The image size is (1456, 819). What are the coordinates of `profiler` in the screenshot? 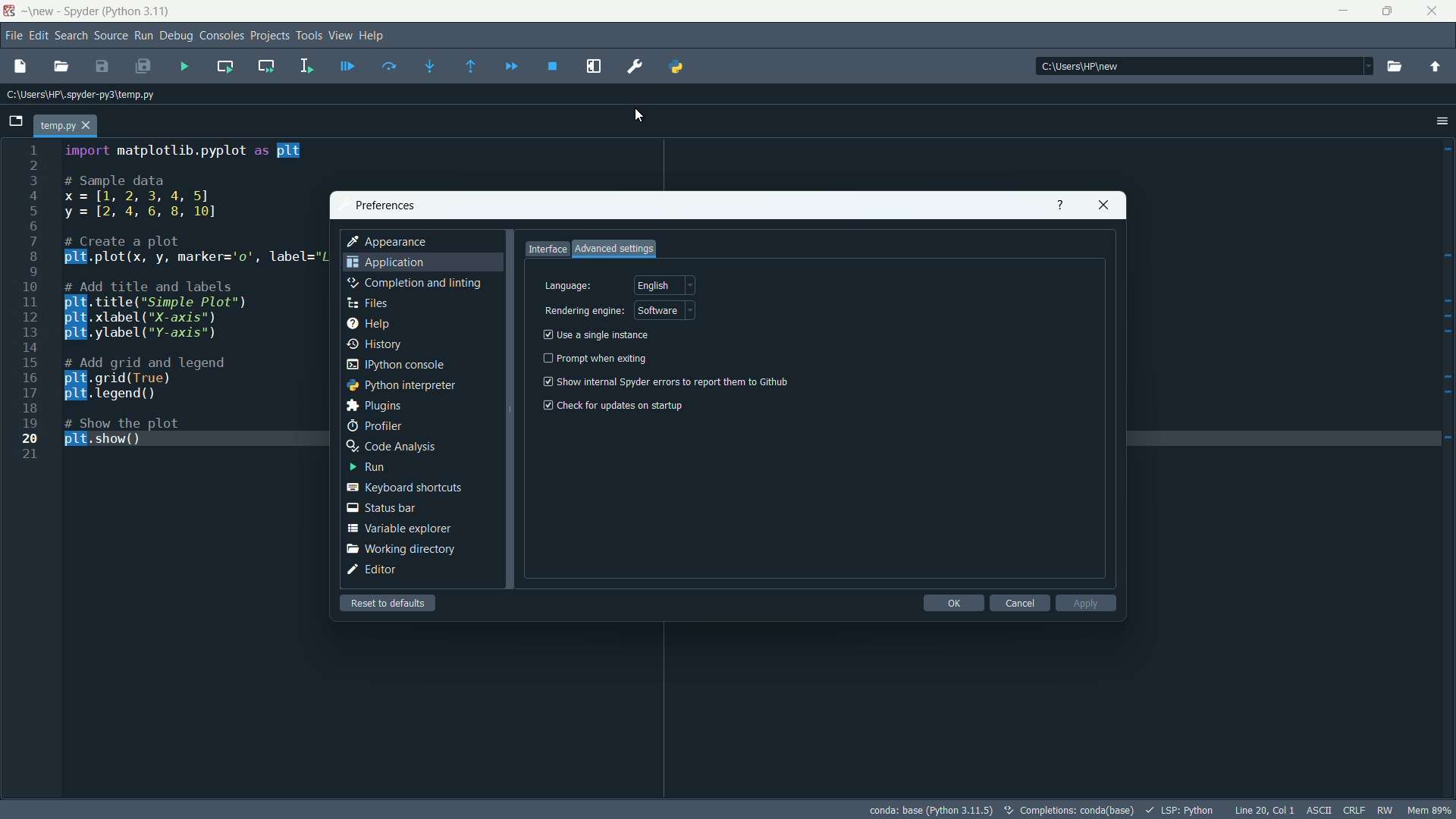 It's located at (375, 427).